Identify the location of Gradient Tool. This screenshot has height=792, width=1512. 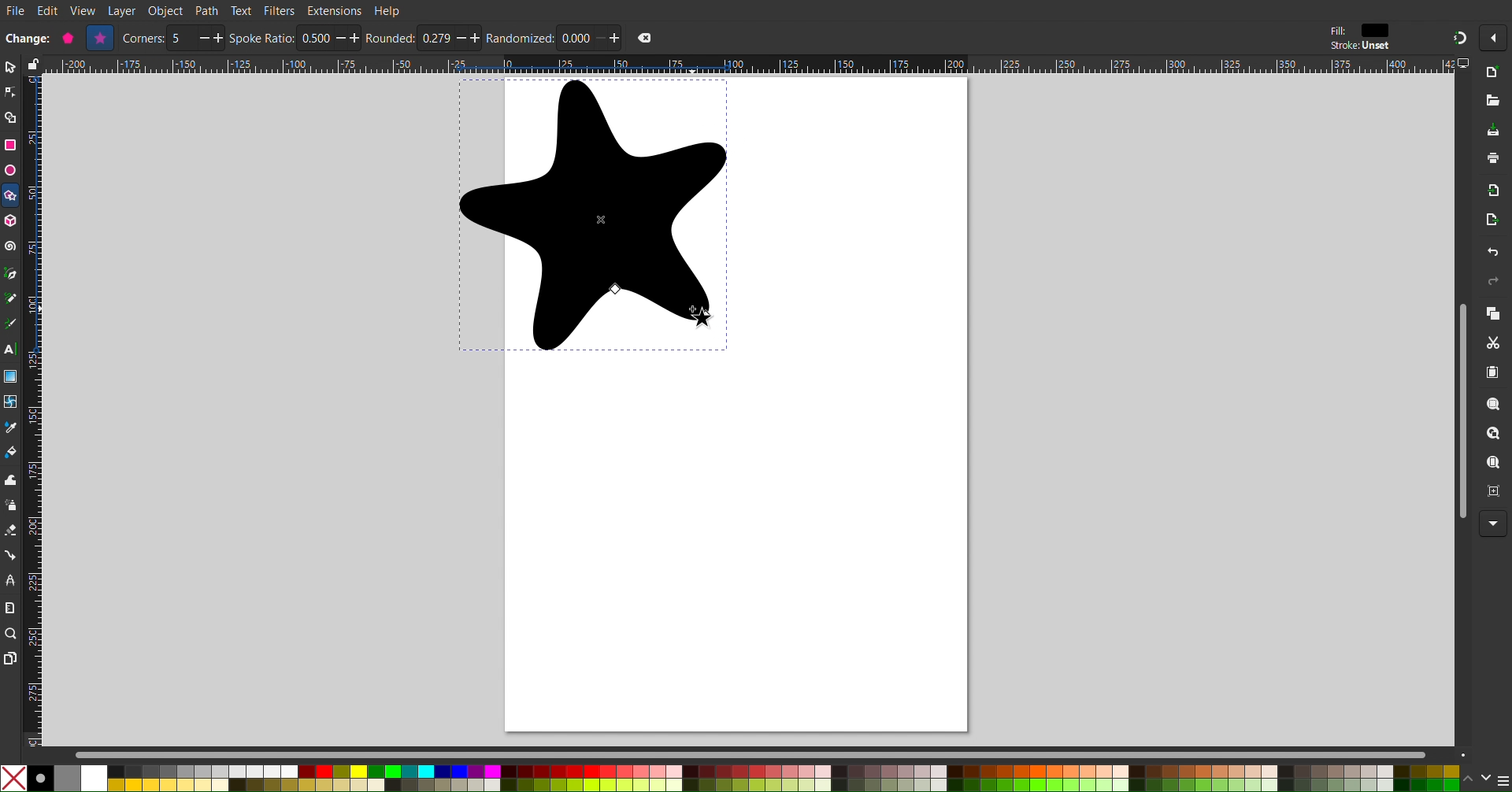
(11, 376).